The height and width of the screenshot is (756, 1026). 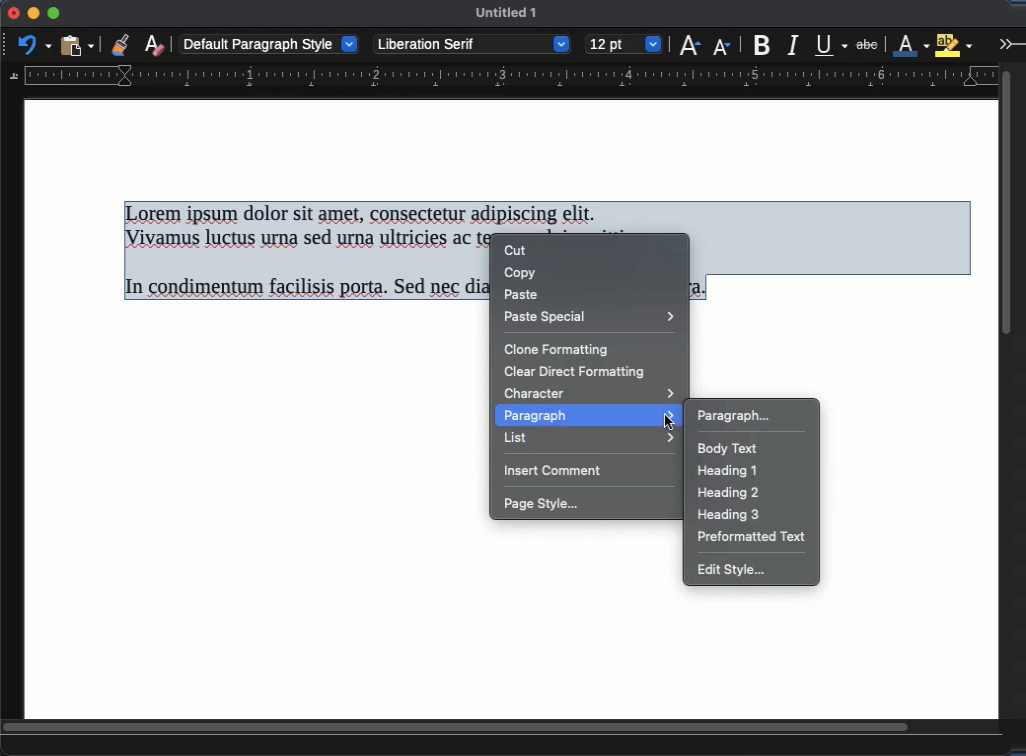 What do you see at coordinates (1012, 389) in the screenshot?
I see `scroll` at bounding box center [1012, 389].